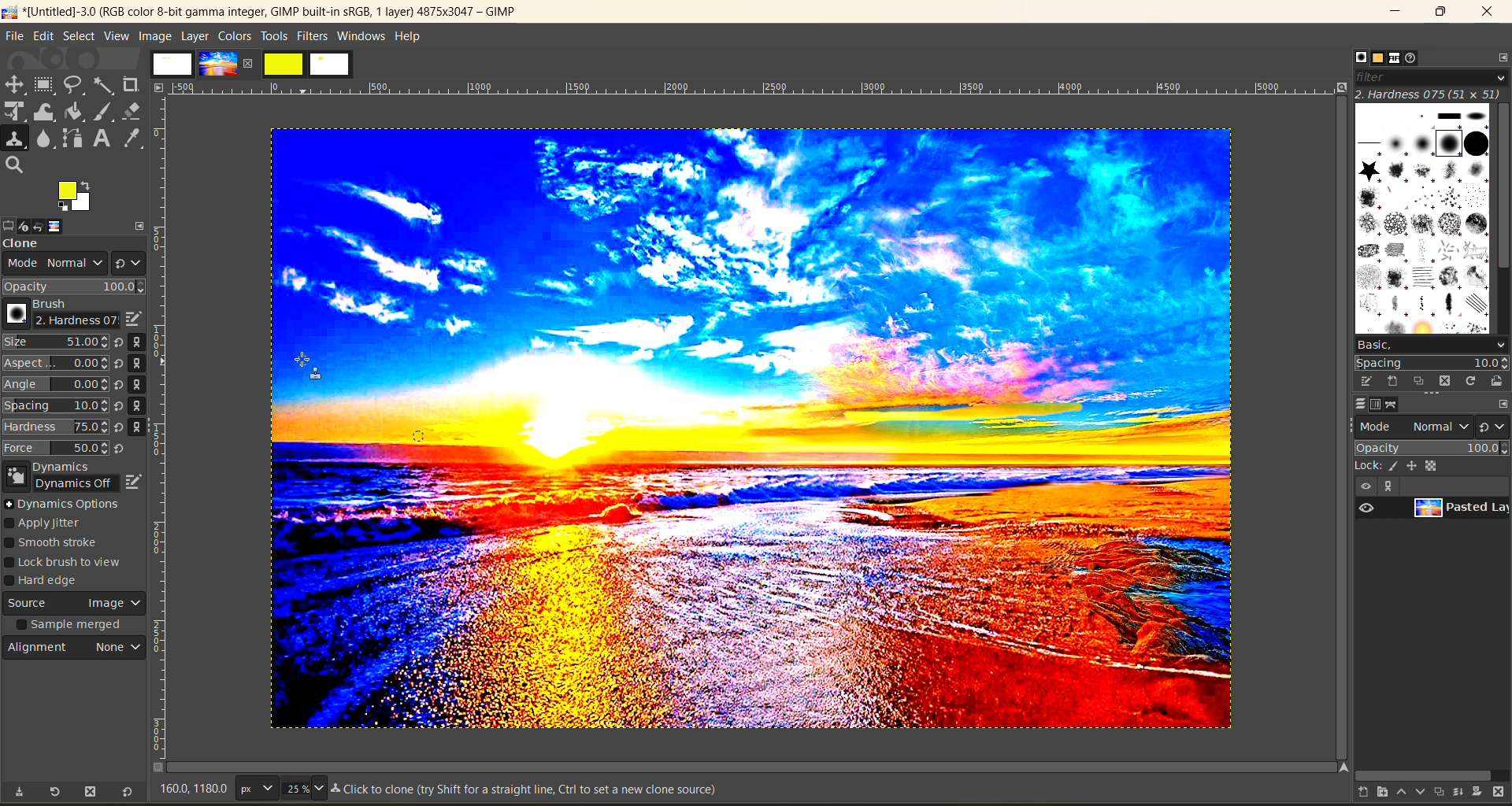 Image resolution: width=1512 pixels, height=806 pixels. I want to click on image, so click(746, 434).